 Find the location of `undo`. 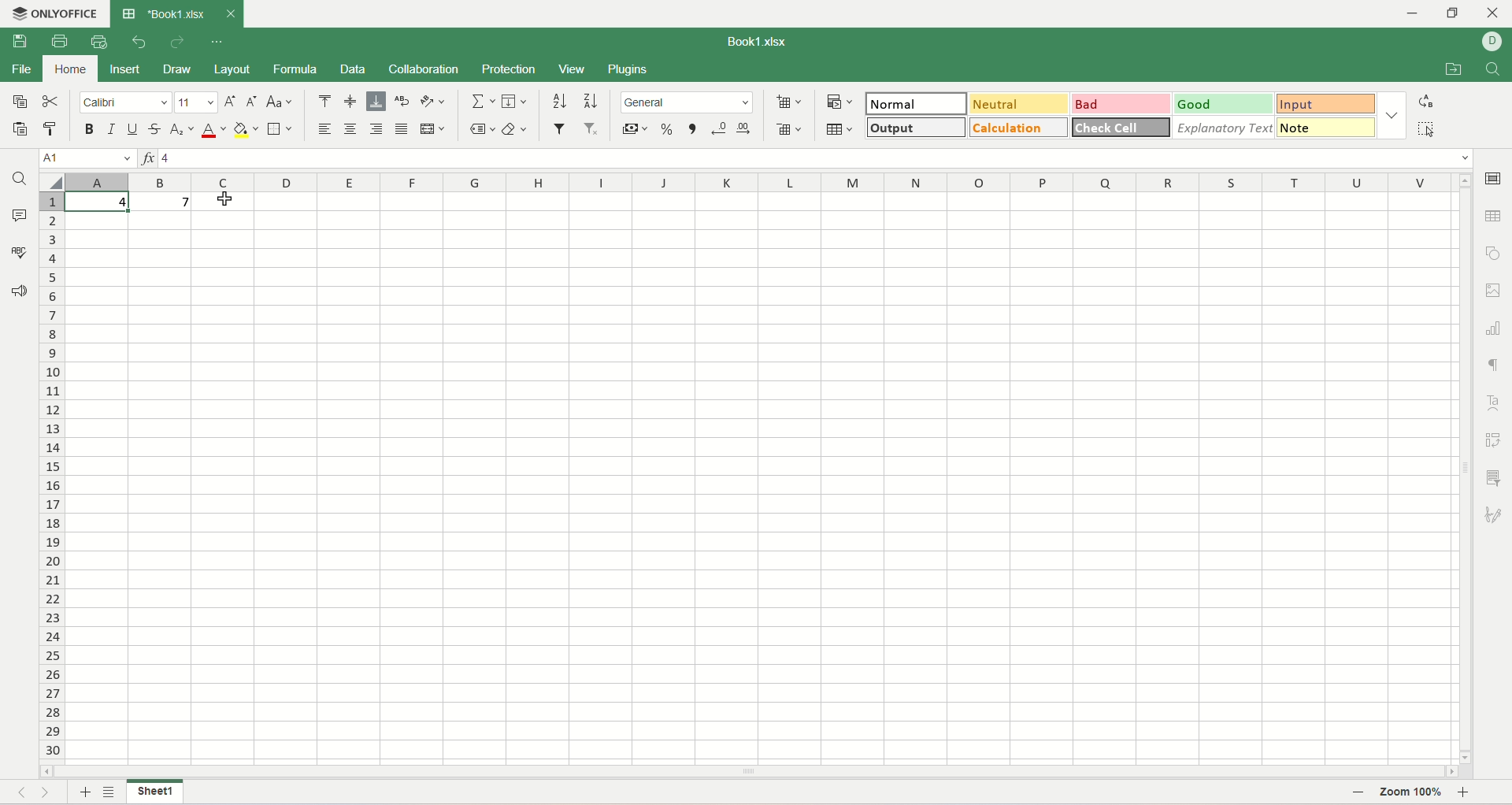

undo is located at coordinates (139, 43).